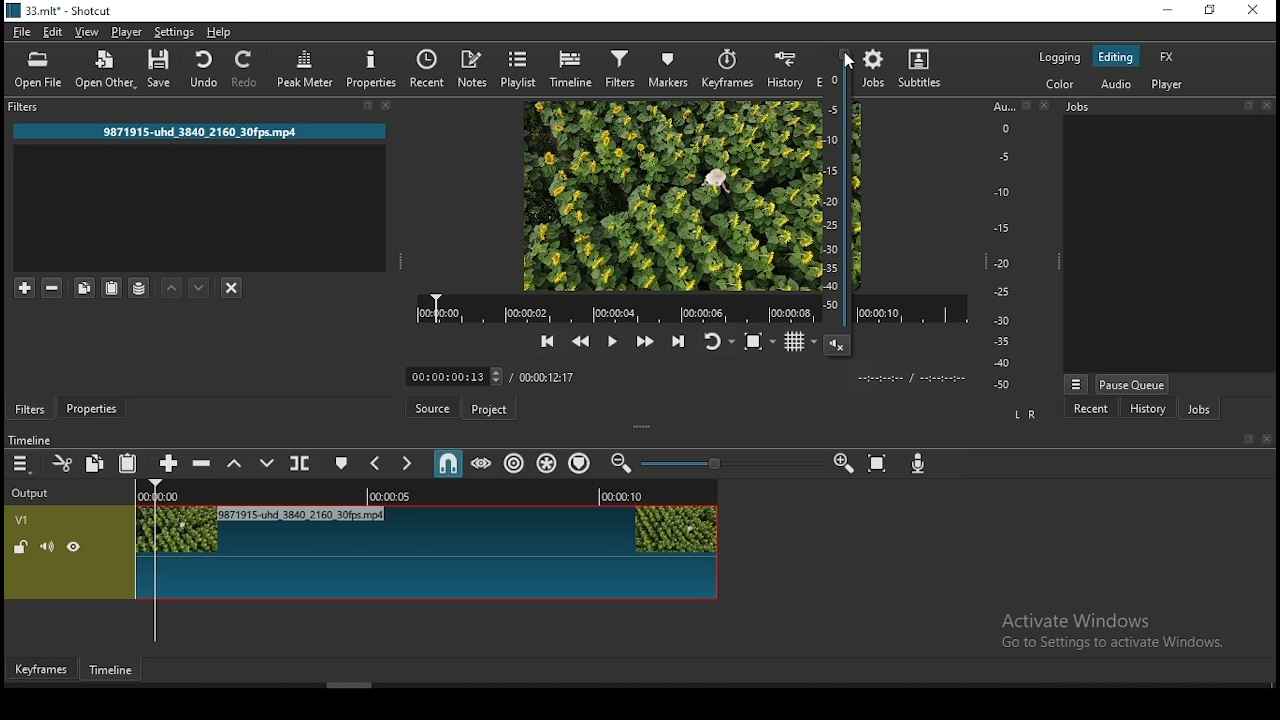 Image resolution: width=1280 pixels, height=720 pixels. I want to click on V1, so click(23, 520).